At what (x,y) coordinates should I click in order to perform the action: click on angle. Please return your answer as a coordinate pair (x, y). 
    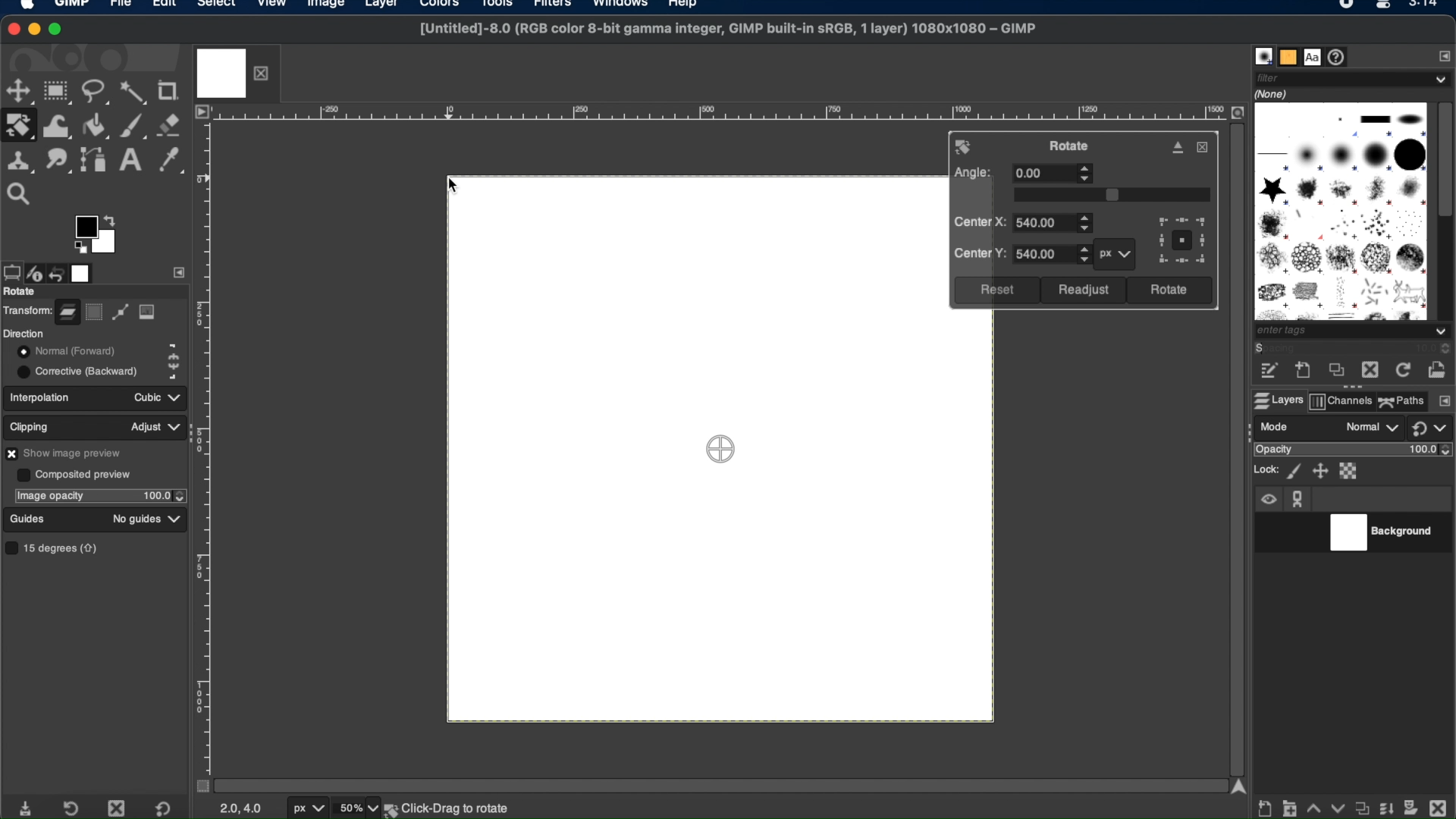
    Looking at the image, I should click on (1023, 174).